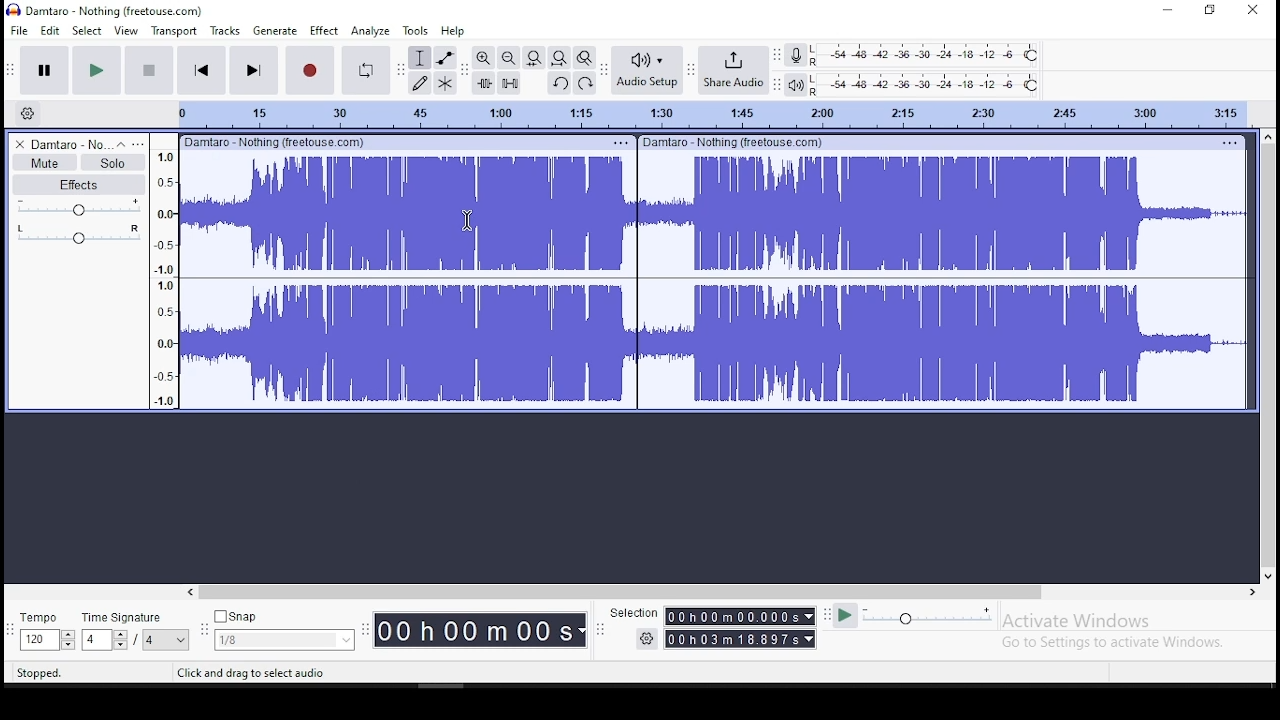 The image size is (1280, 720). Describe the element at coordinates (166, 640) in the screenshot. I see `menu` at that location.